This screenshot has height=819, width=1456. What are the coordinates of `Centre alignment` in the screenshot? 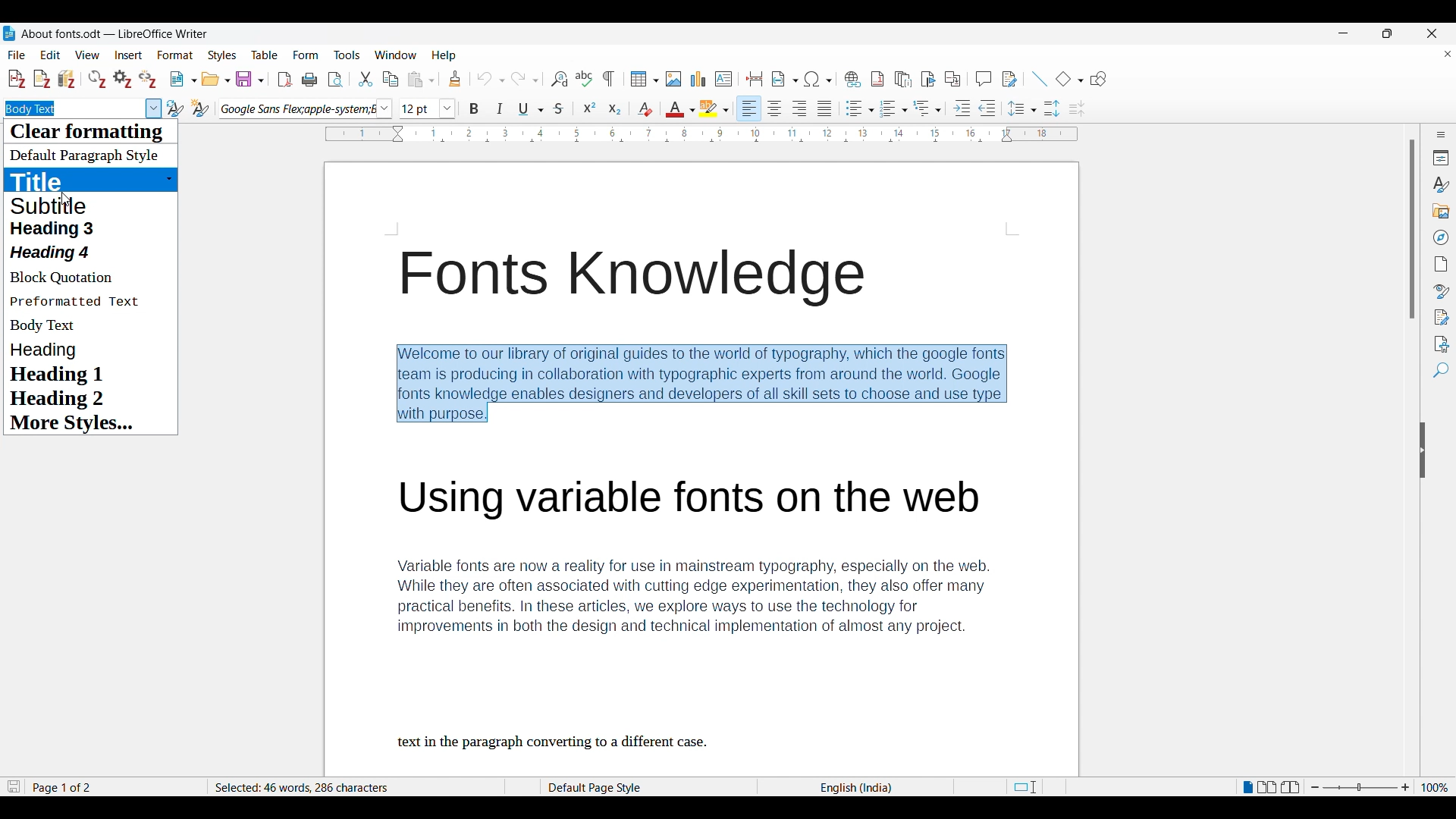 It's located at (774, 108).